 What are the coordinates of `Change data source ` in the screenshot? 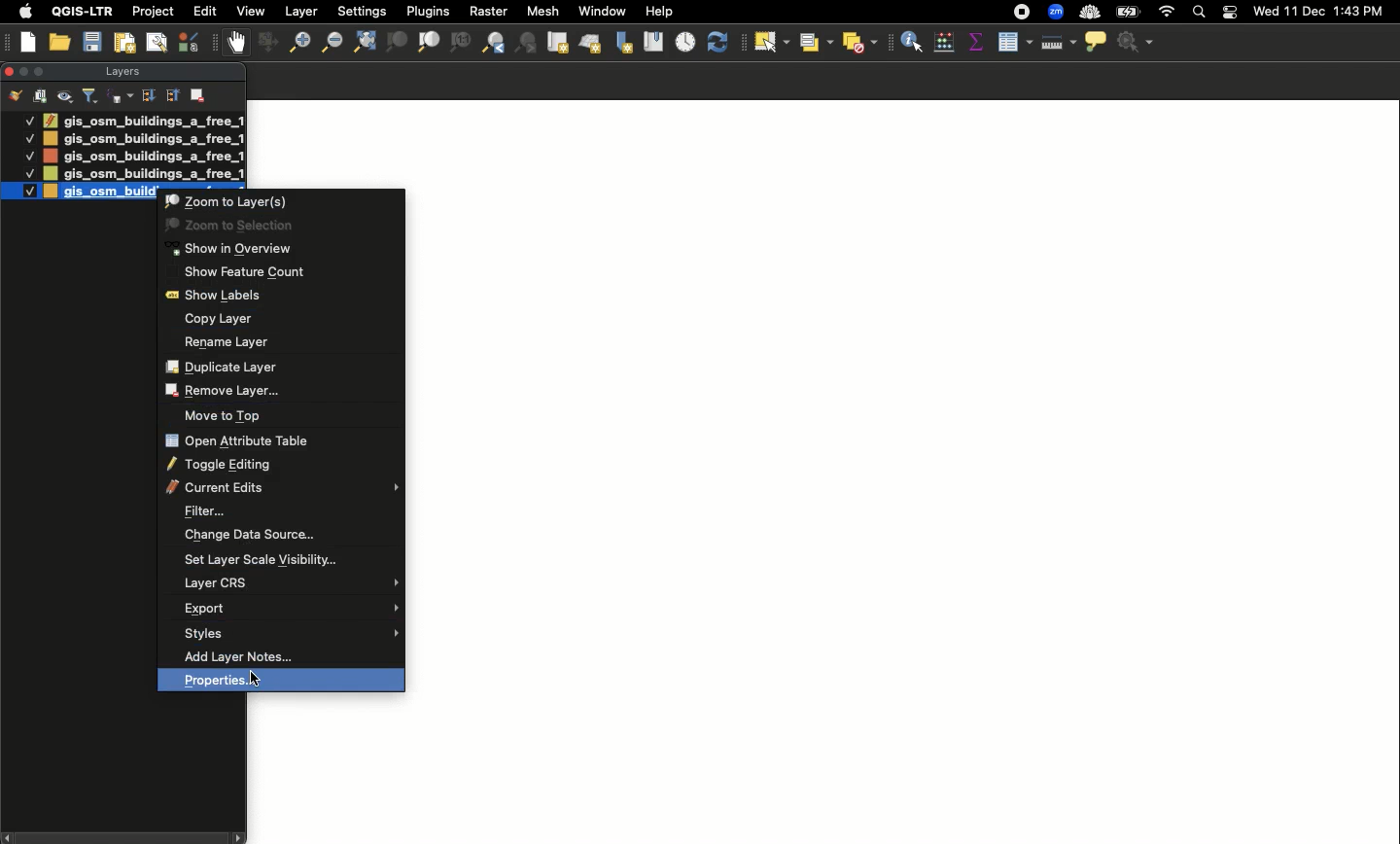 It's located at (286, 538).